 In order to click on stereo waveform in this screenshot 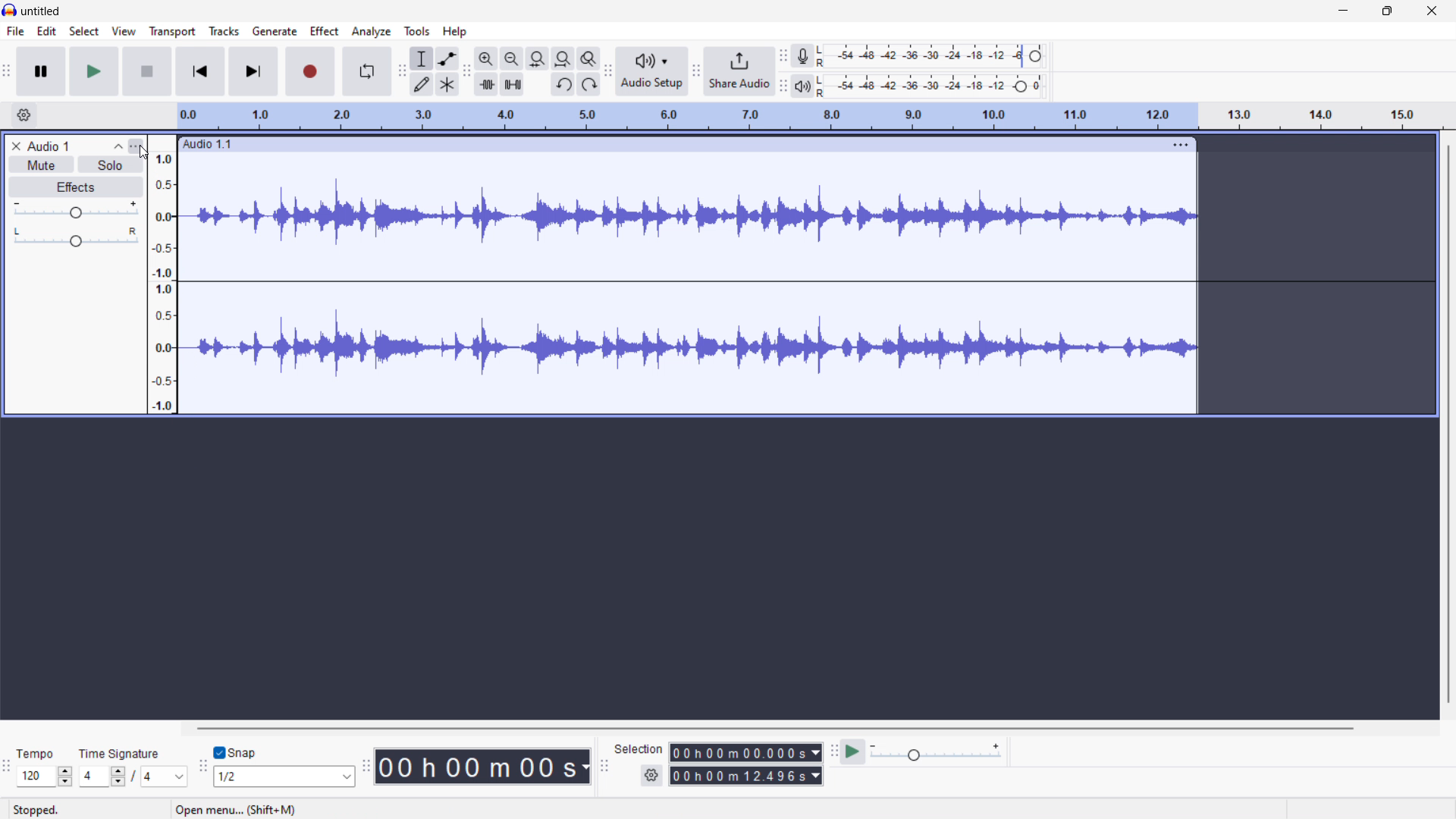, I will do `click(687, 220)`.